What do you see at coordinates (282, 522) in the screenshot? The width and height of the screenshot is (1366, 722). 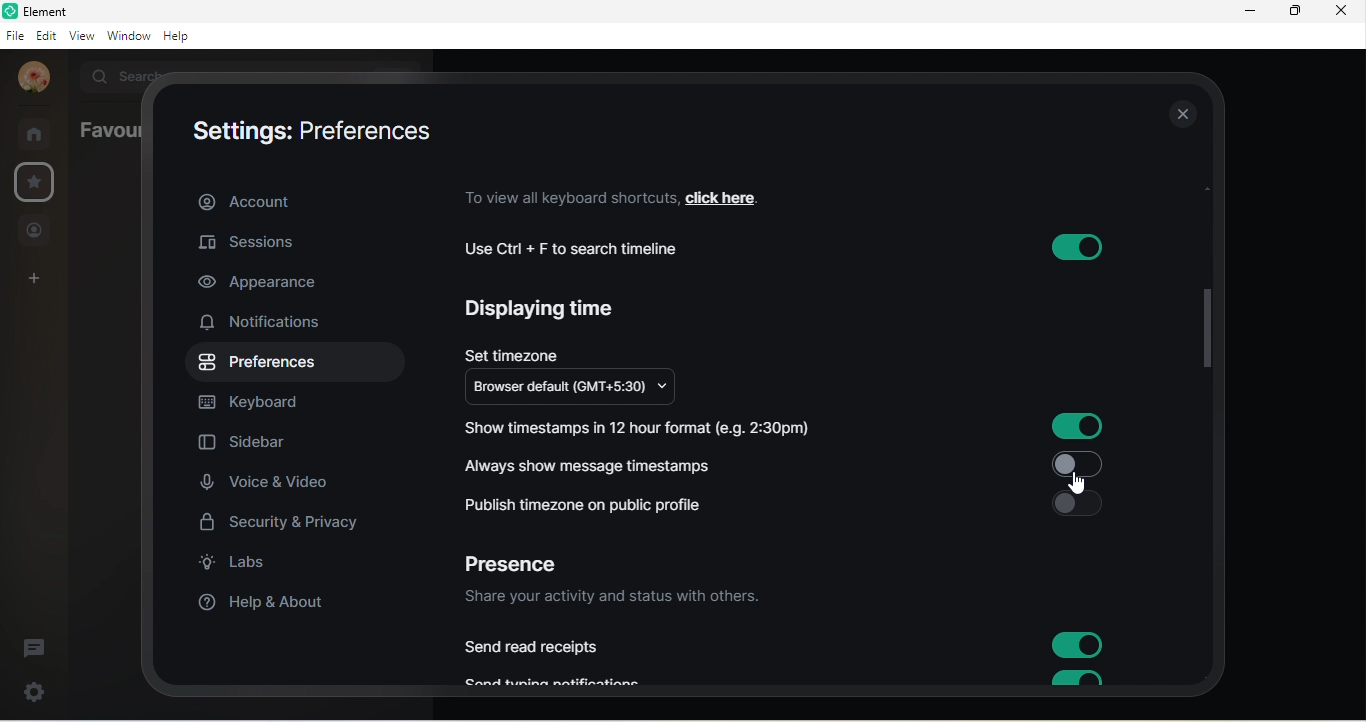 I see `security and privacy` at bounding box center [282, 522].